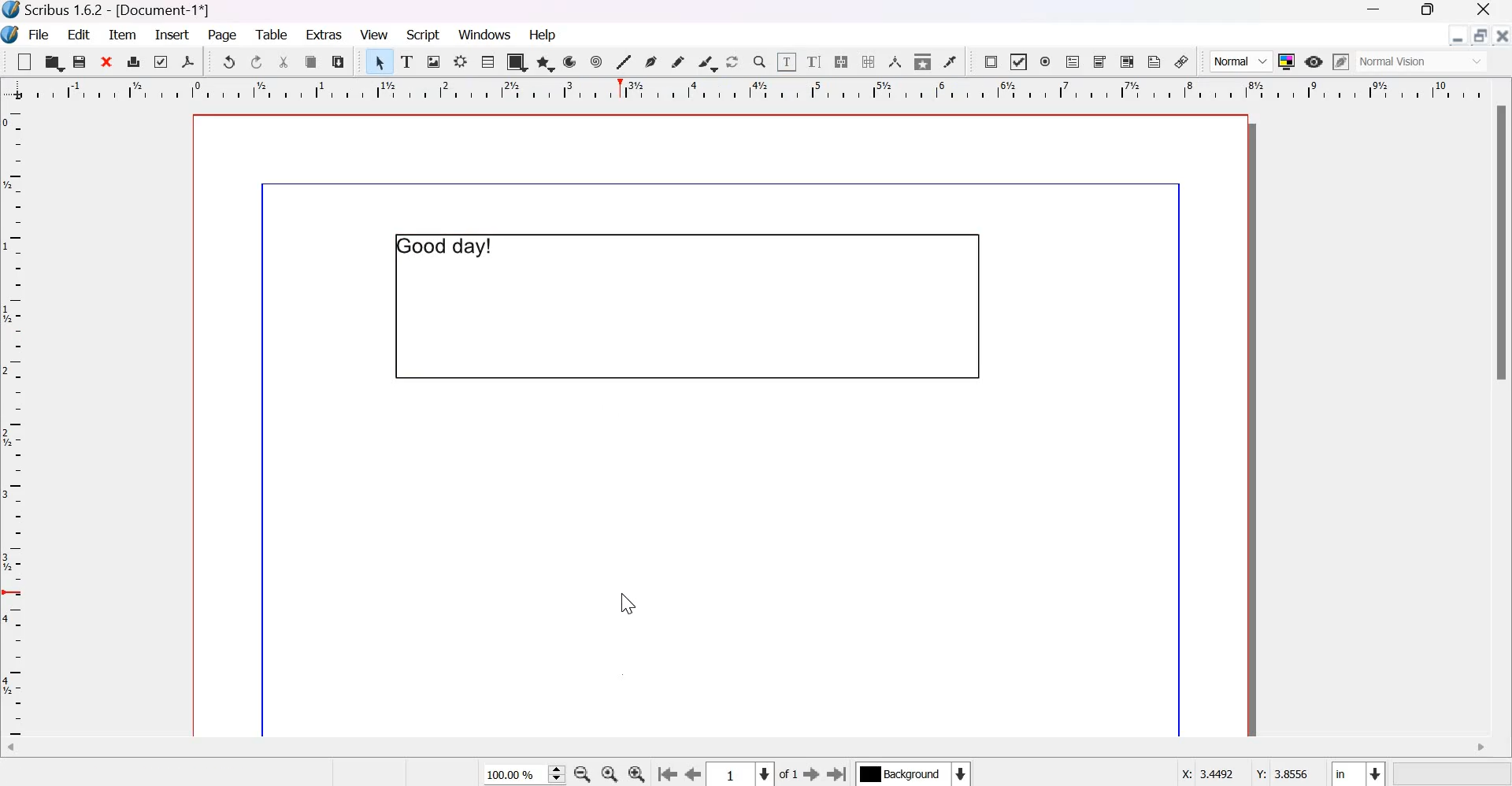  I want to click on , so click(733, 61).